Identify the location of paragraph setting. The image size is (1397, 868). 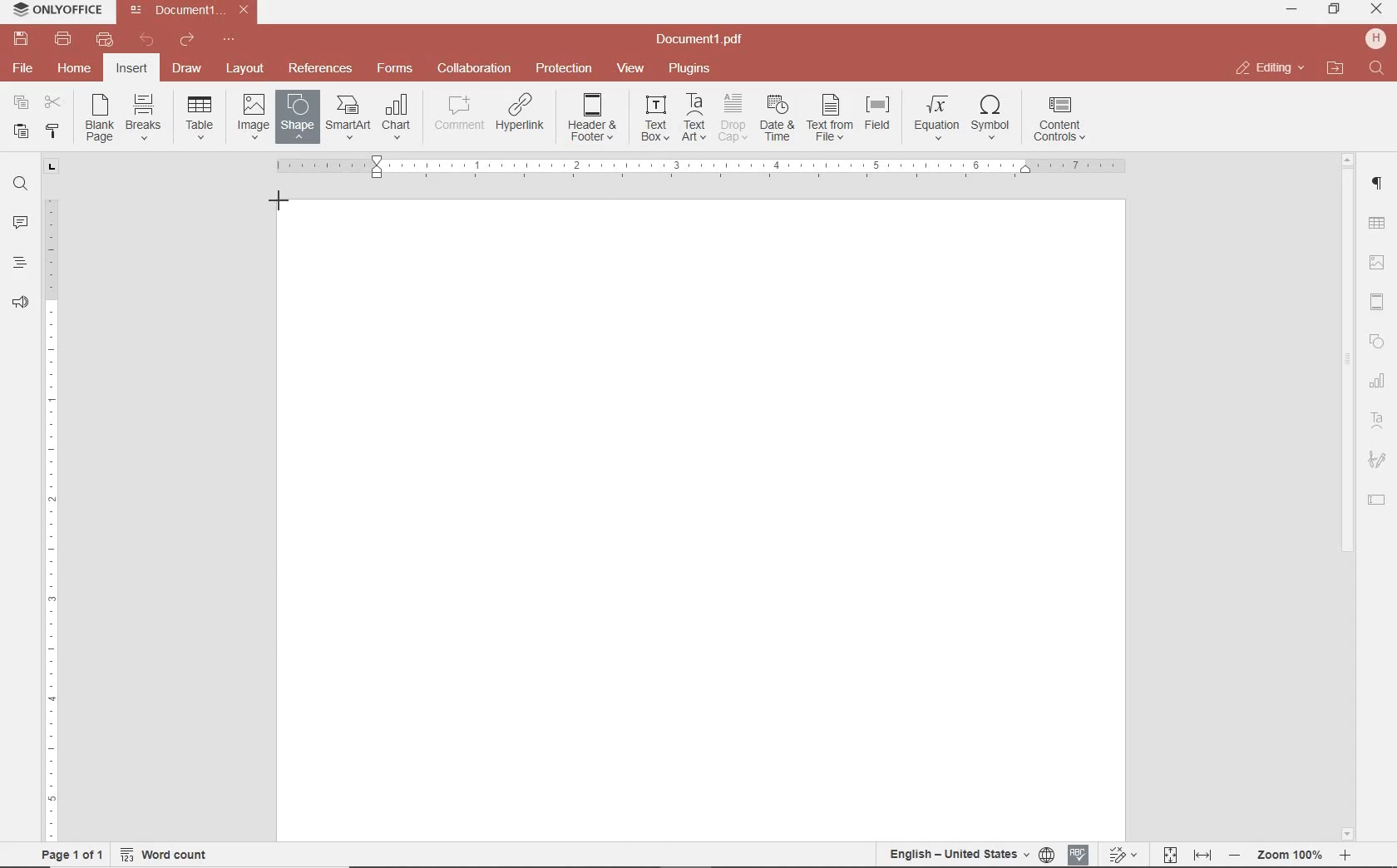
(1378, 181).